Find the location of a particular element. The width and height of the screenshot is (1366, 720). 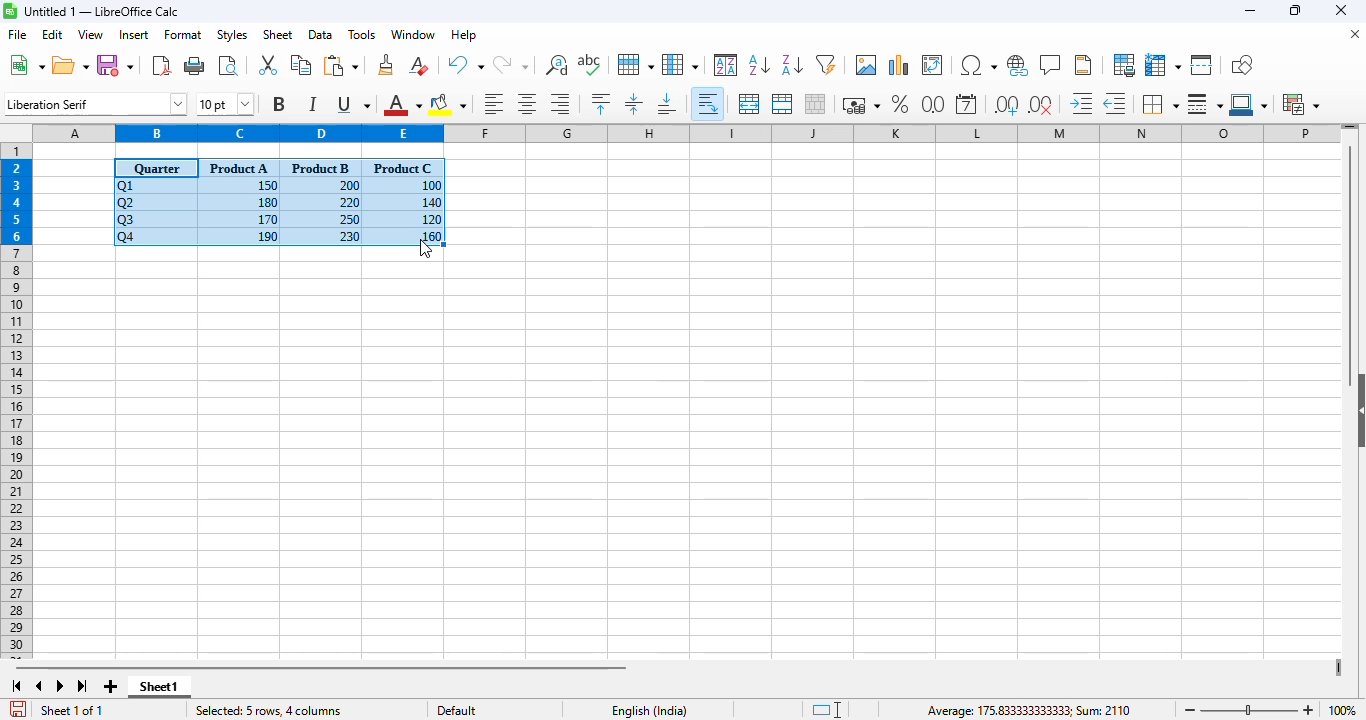

insert is located at coordinates (134, 35).